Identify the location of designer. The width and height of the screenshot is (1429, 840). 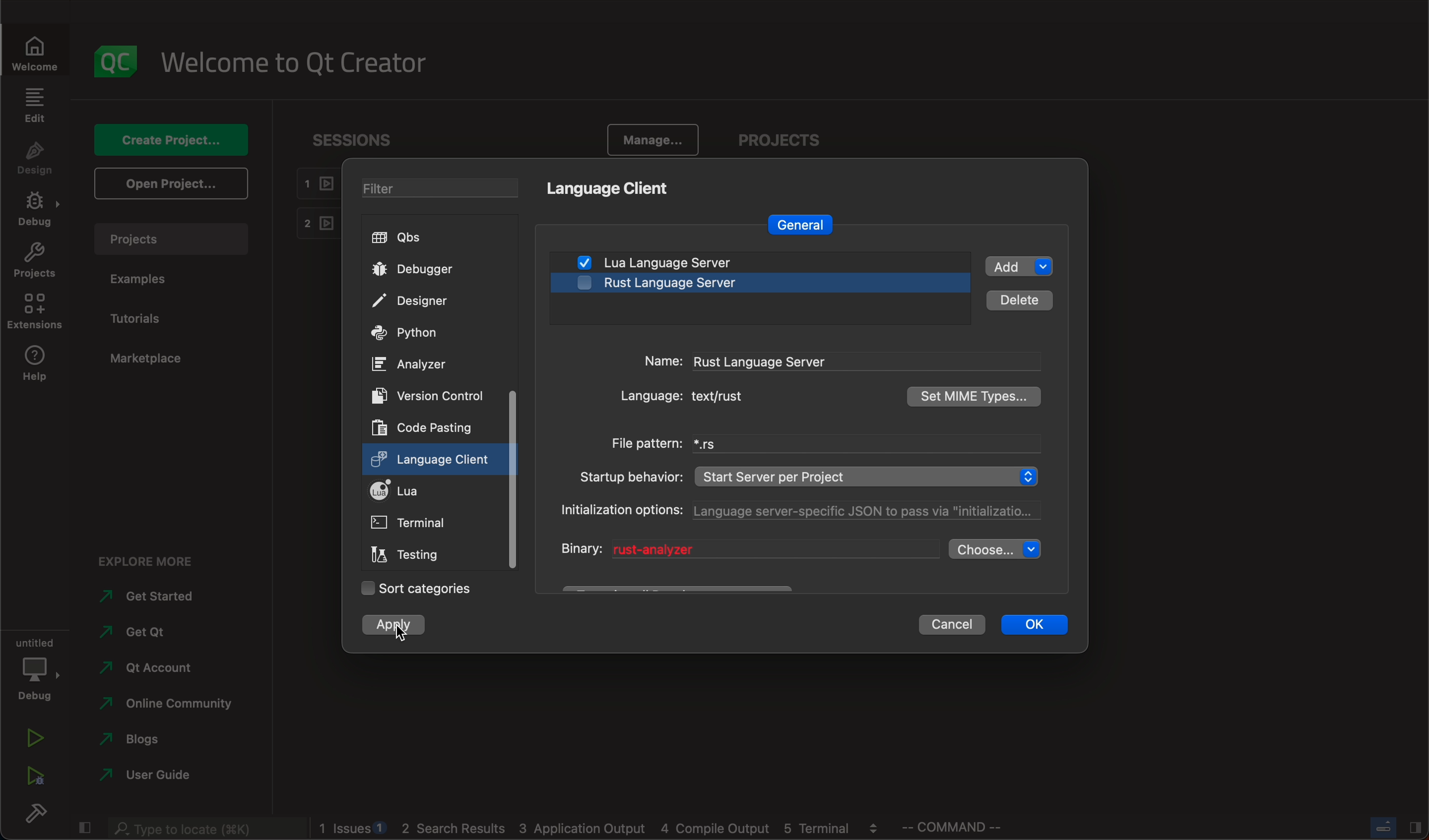
(416, 300).